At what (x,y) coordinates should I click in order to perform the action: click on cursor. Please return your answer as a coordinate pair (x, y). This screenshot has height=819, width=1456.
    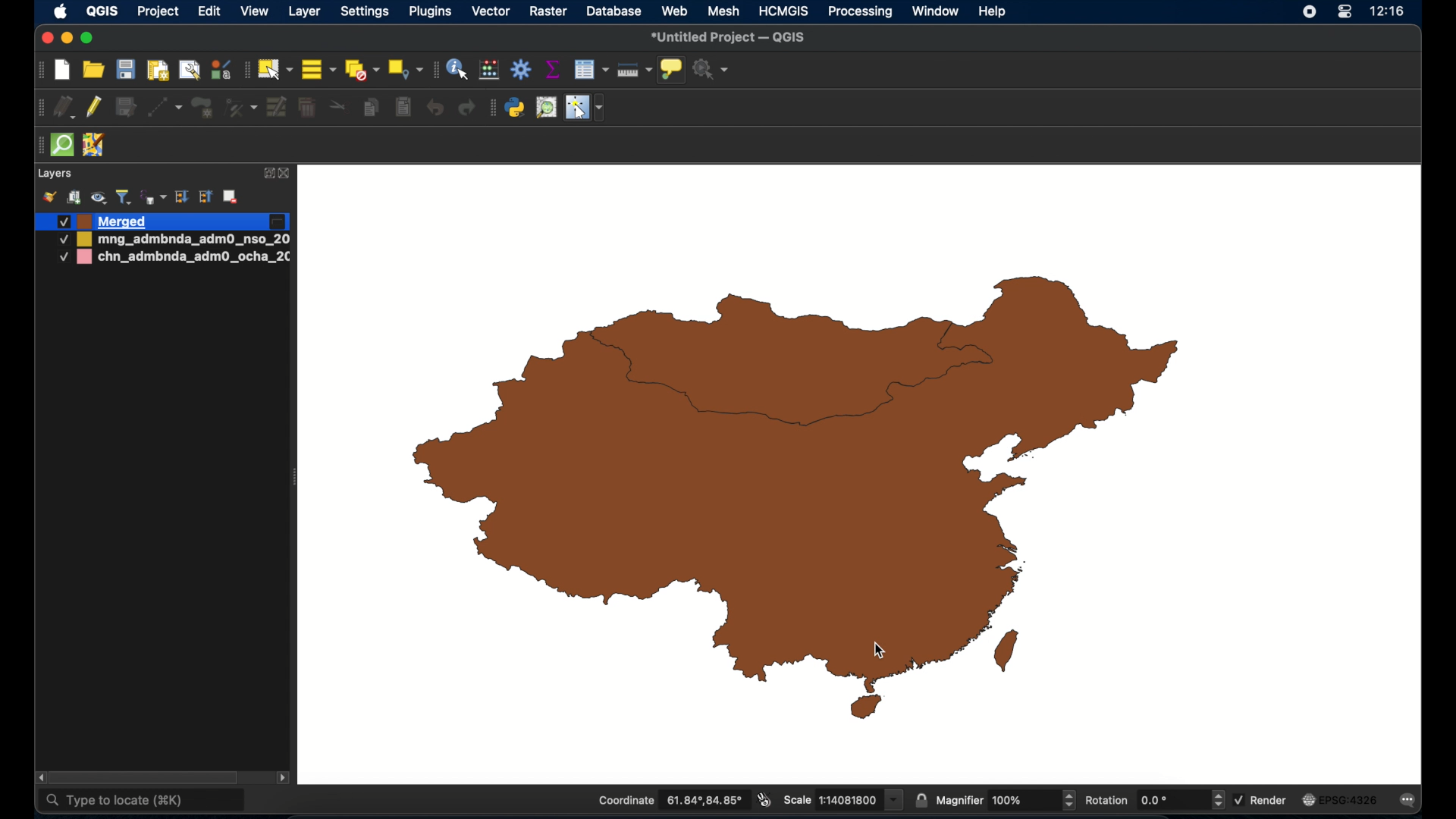
    Looking at the image, I should click on (881, 651).